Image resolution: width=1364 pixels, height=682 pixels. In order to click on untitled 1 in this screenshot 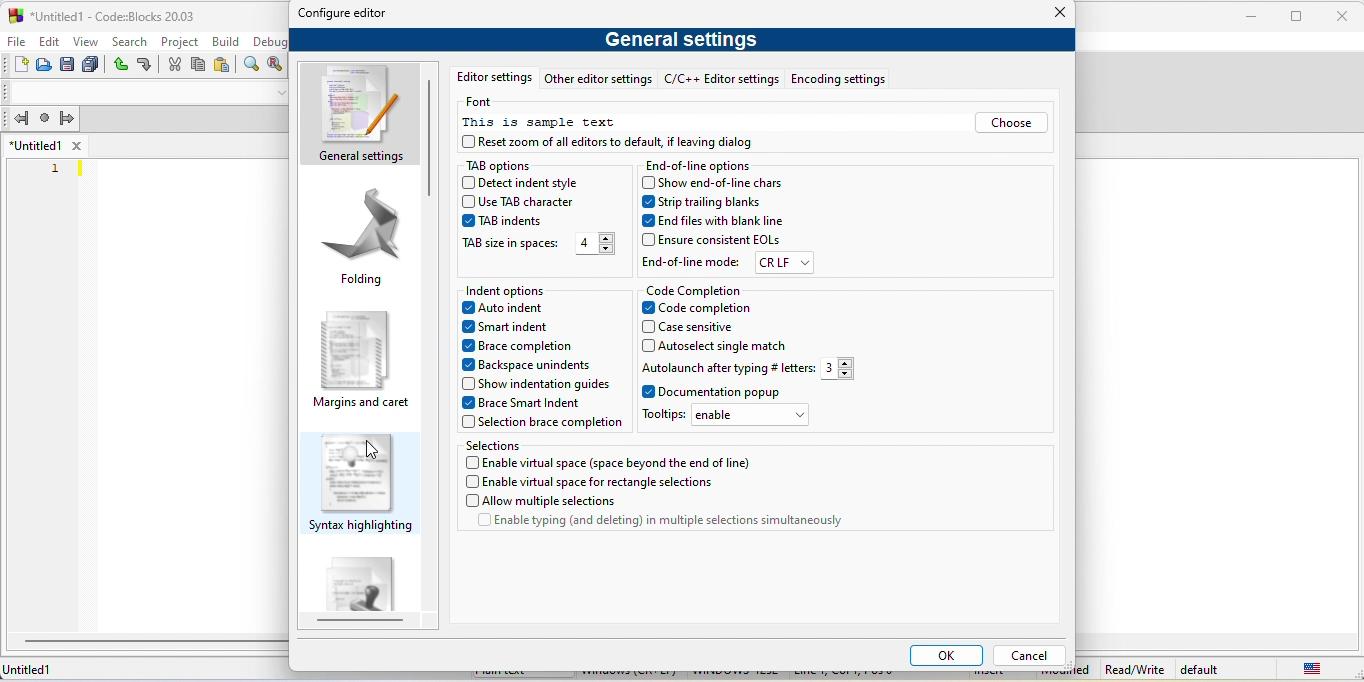, I will do `click(35, 145)`.